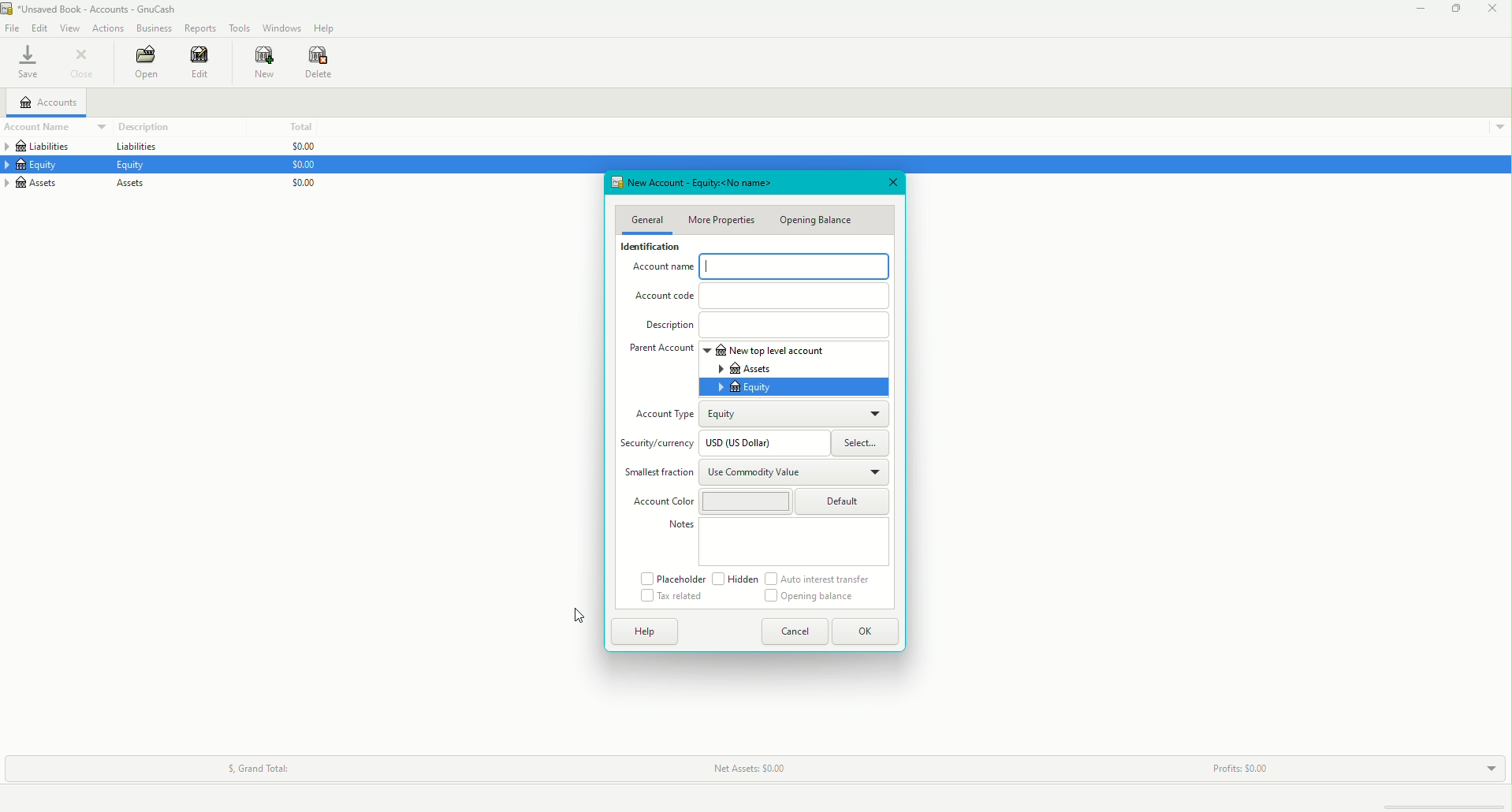 The width and height of the screenshot is (1512, 812). What do you see at coordinates (203, 64) in the screenshot?
I see `Edit` at bounding box center [203, 64].